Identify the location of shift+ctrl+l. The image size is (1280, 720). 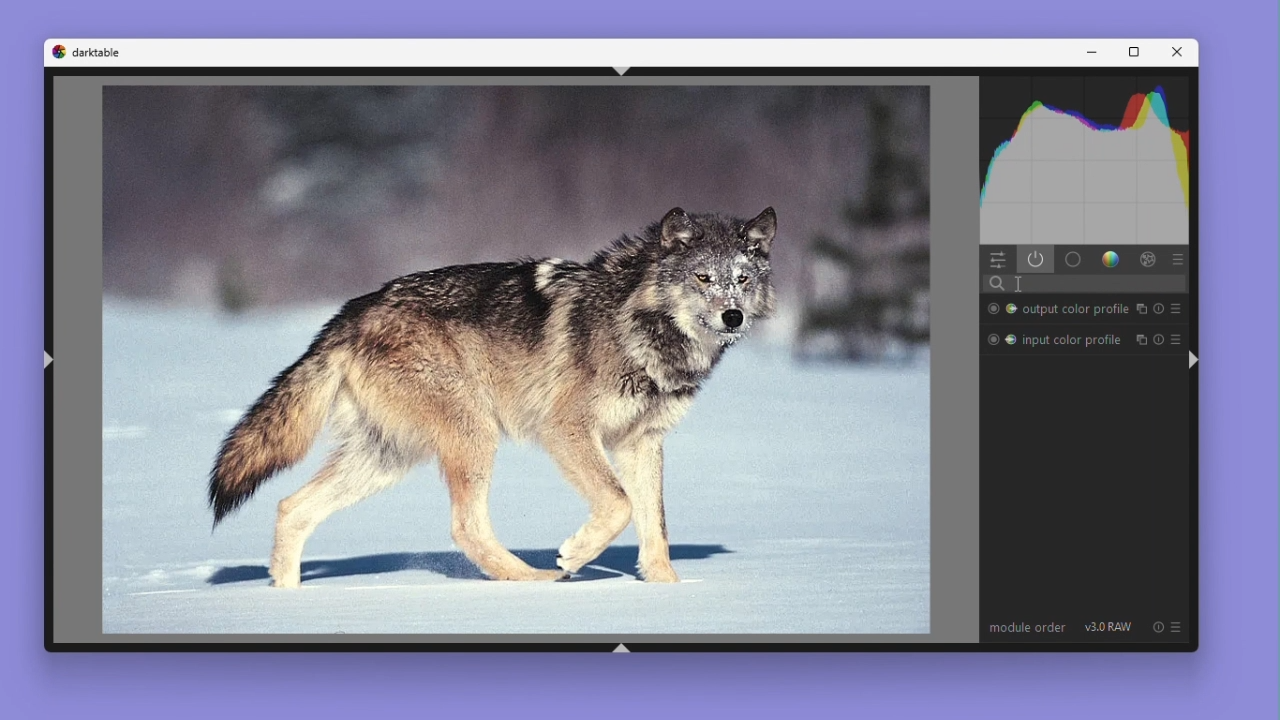
(49, 359).